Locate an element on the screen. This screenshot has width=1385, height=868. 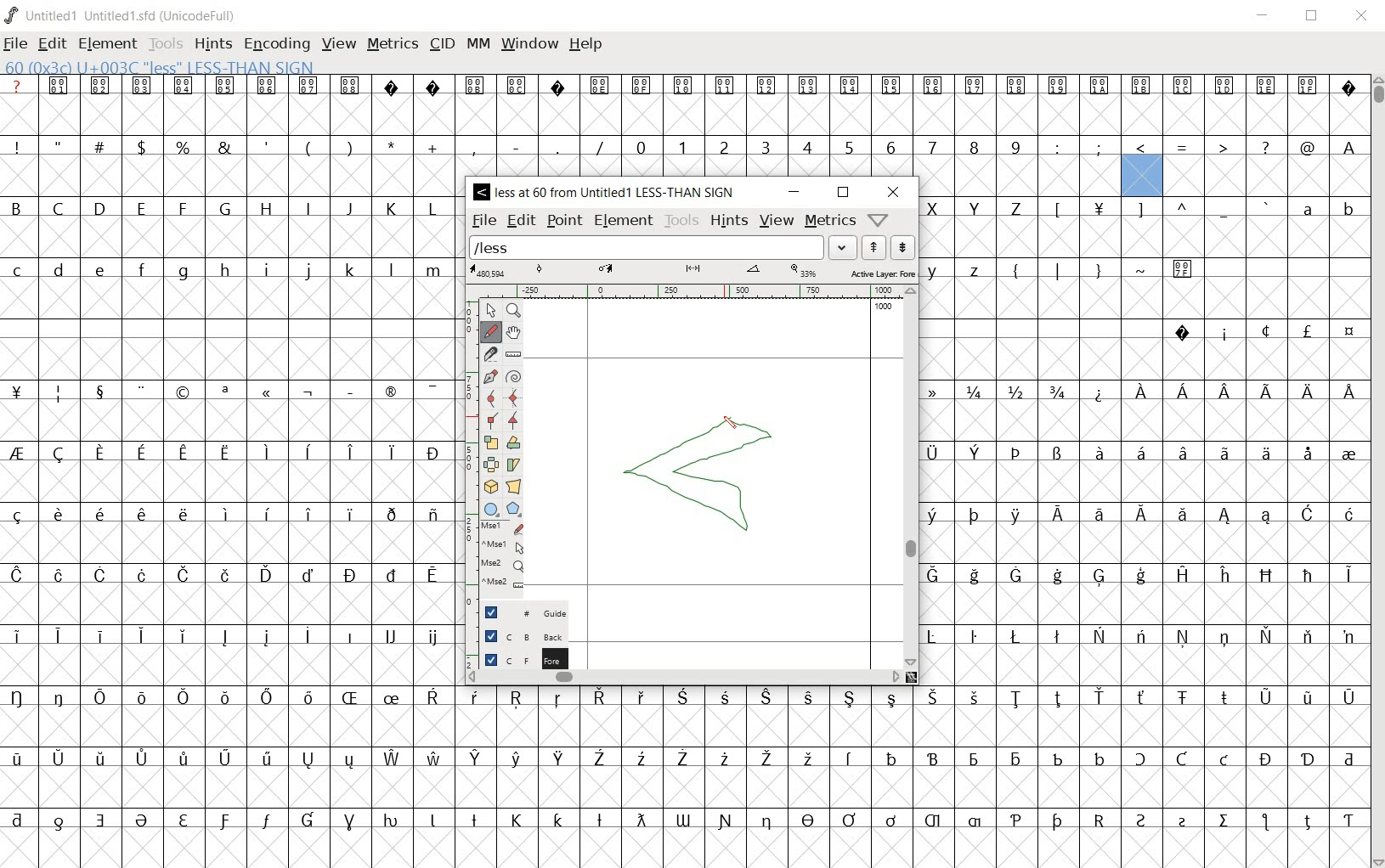
special symbols is located at coordinates (682, 85).